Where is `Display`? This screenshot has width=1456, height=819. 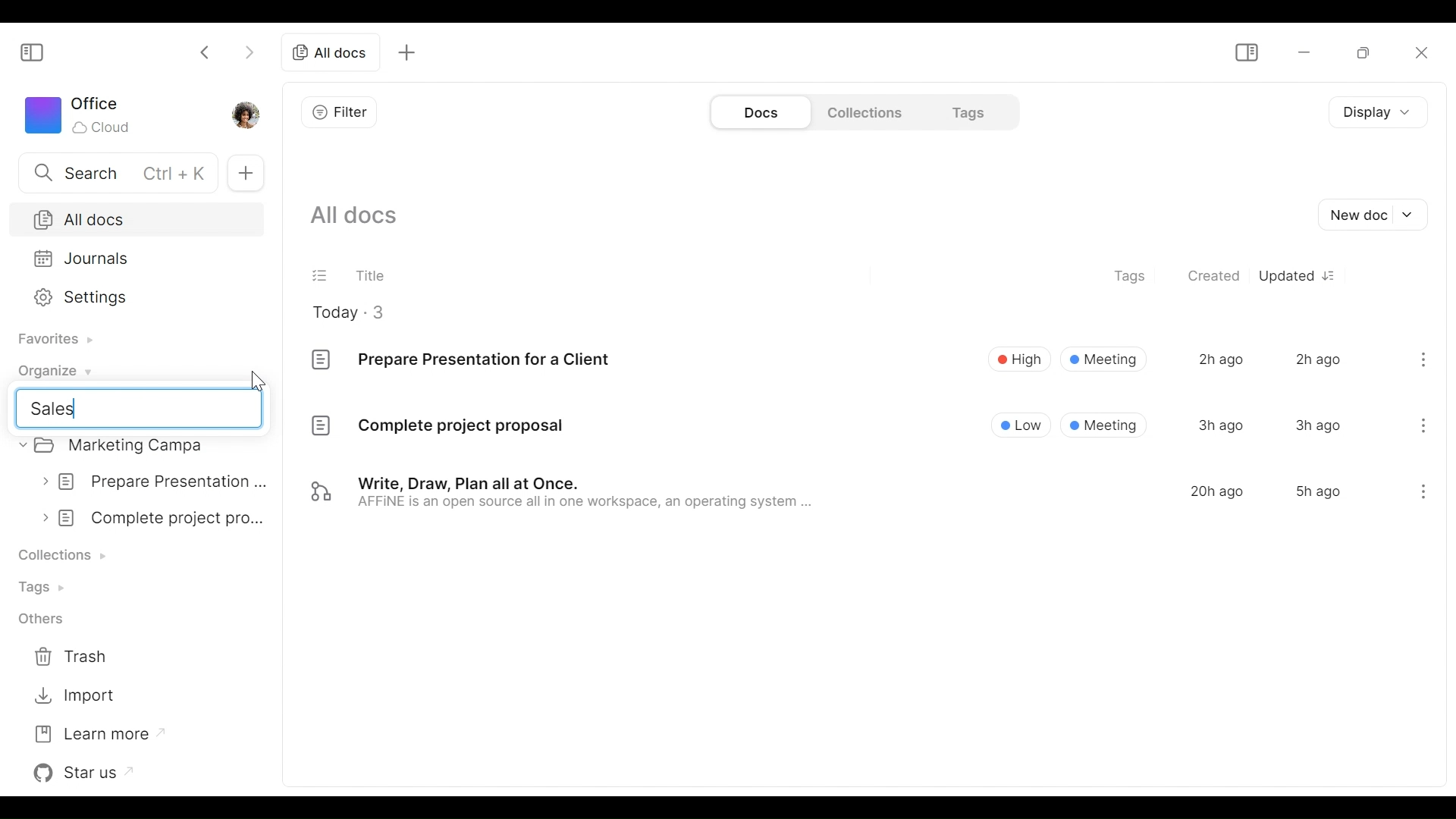 Display is located at coordinates (1373, 114).